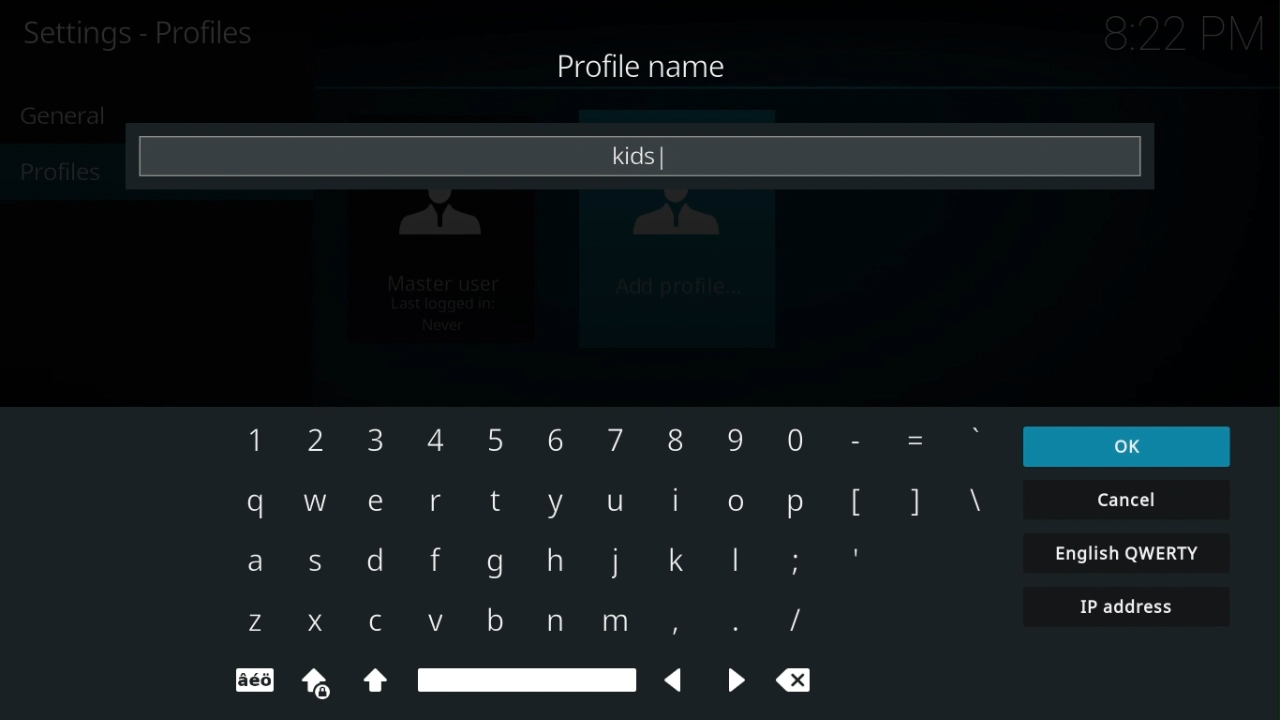 This screenshot has height=720, width=1280. I want to click on english QWERTY, so click(1128, 552).